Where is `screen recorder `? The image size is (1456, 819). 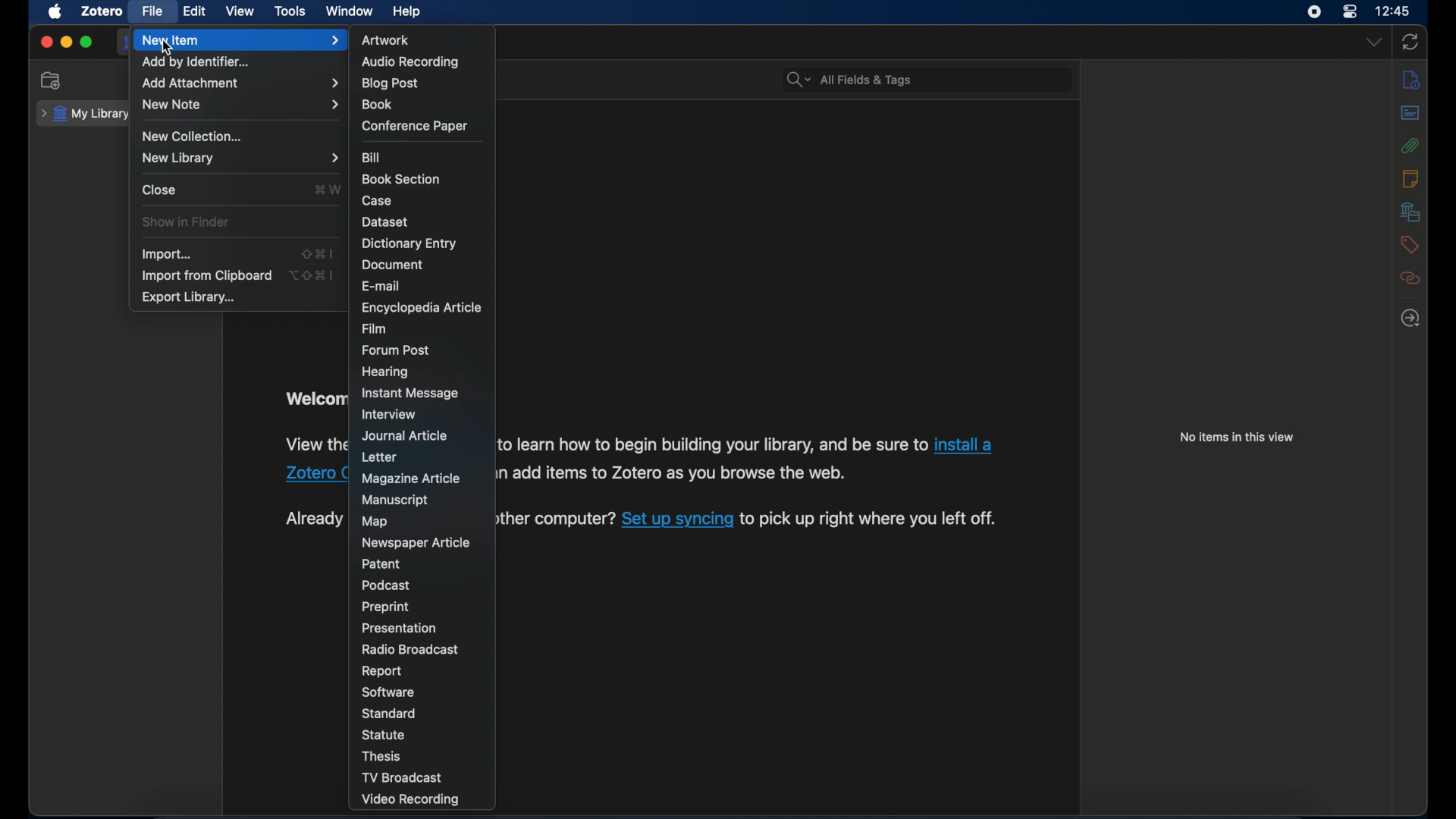
screen recorder  is located at coordinates (1312, 12).